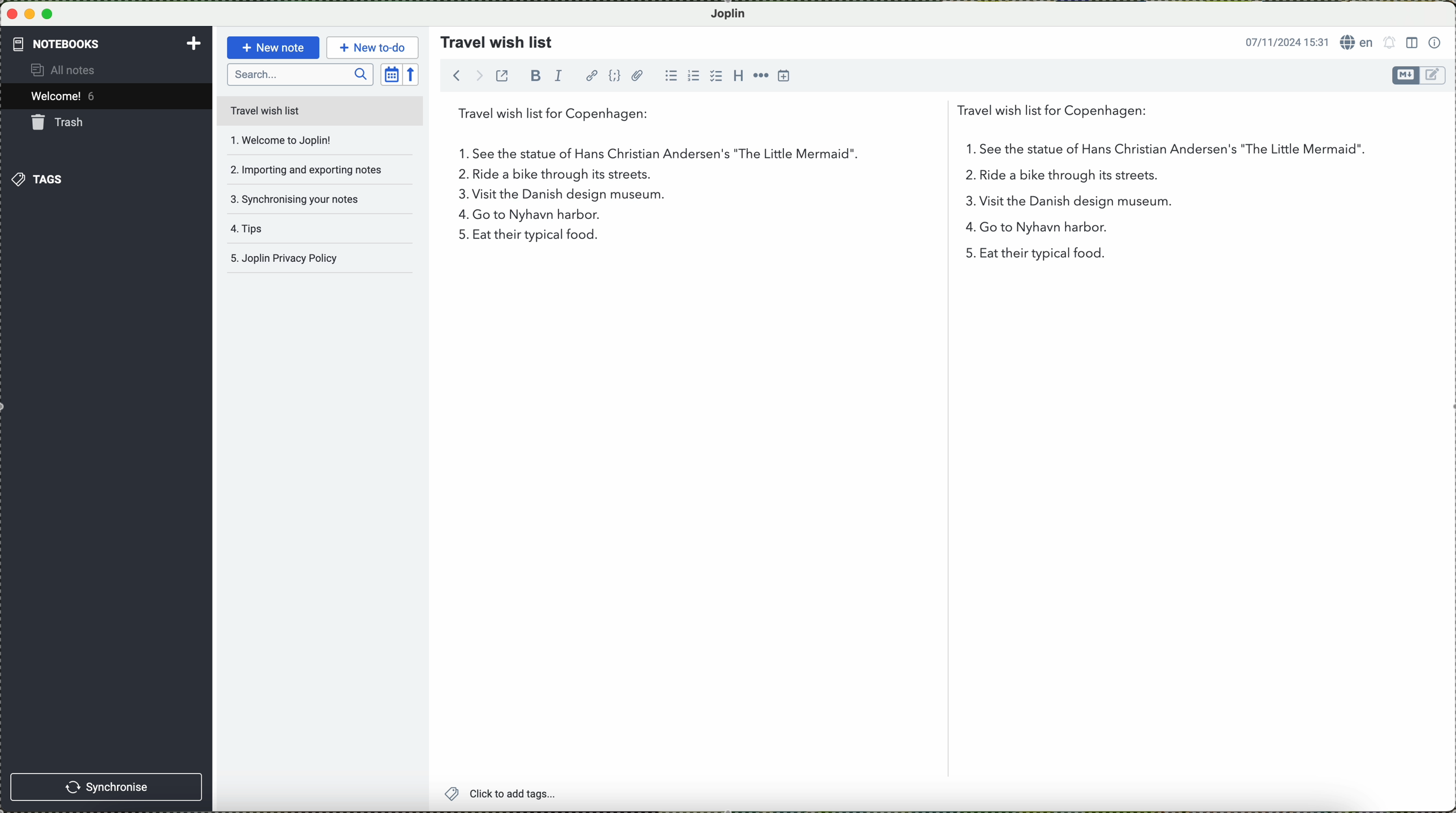  What do you see at coordinates (736, 75) in the screenshot?
I see `heading` at bounding box center [736, 75].